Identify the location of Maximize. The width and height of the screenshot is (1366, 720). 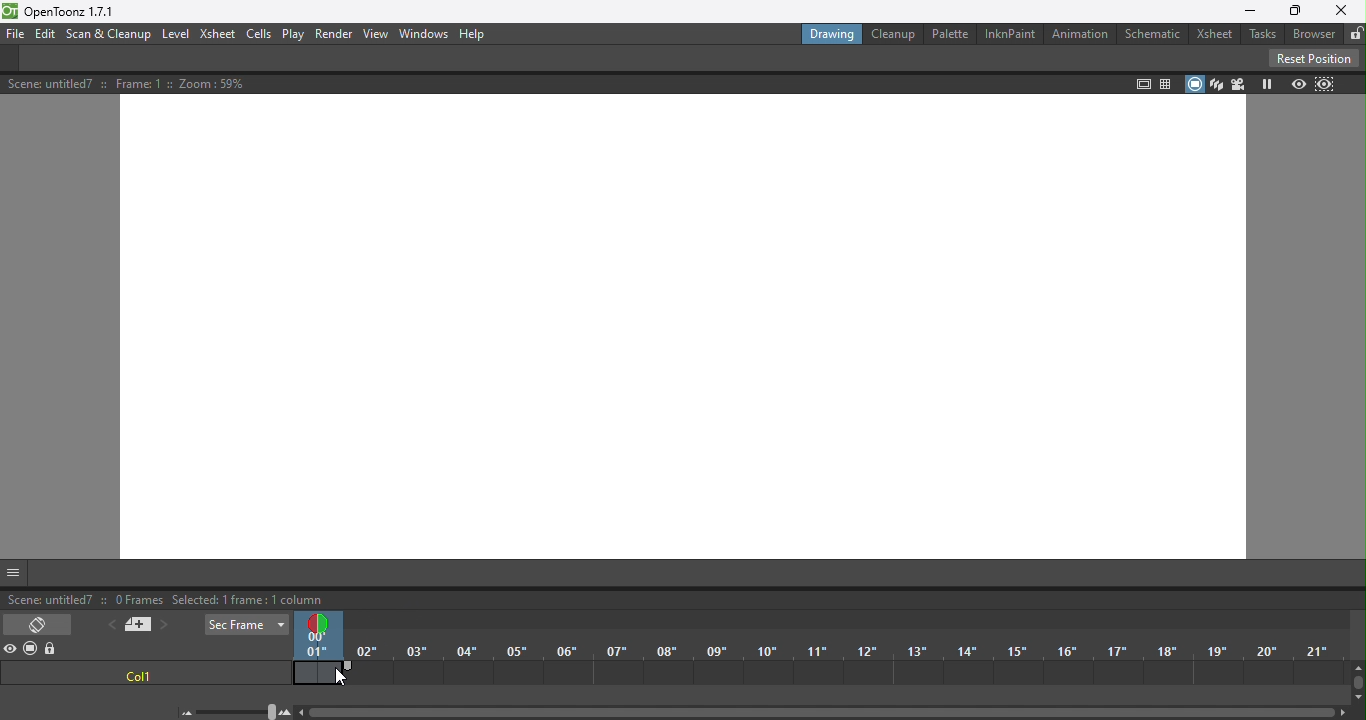
(1289, 11).